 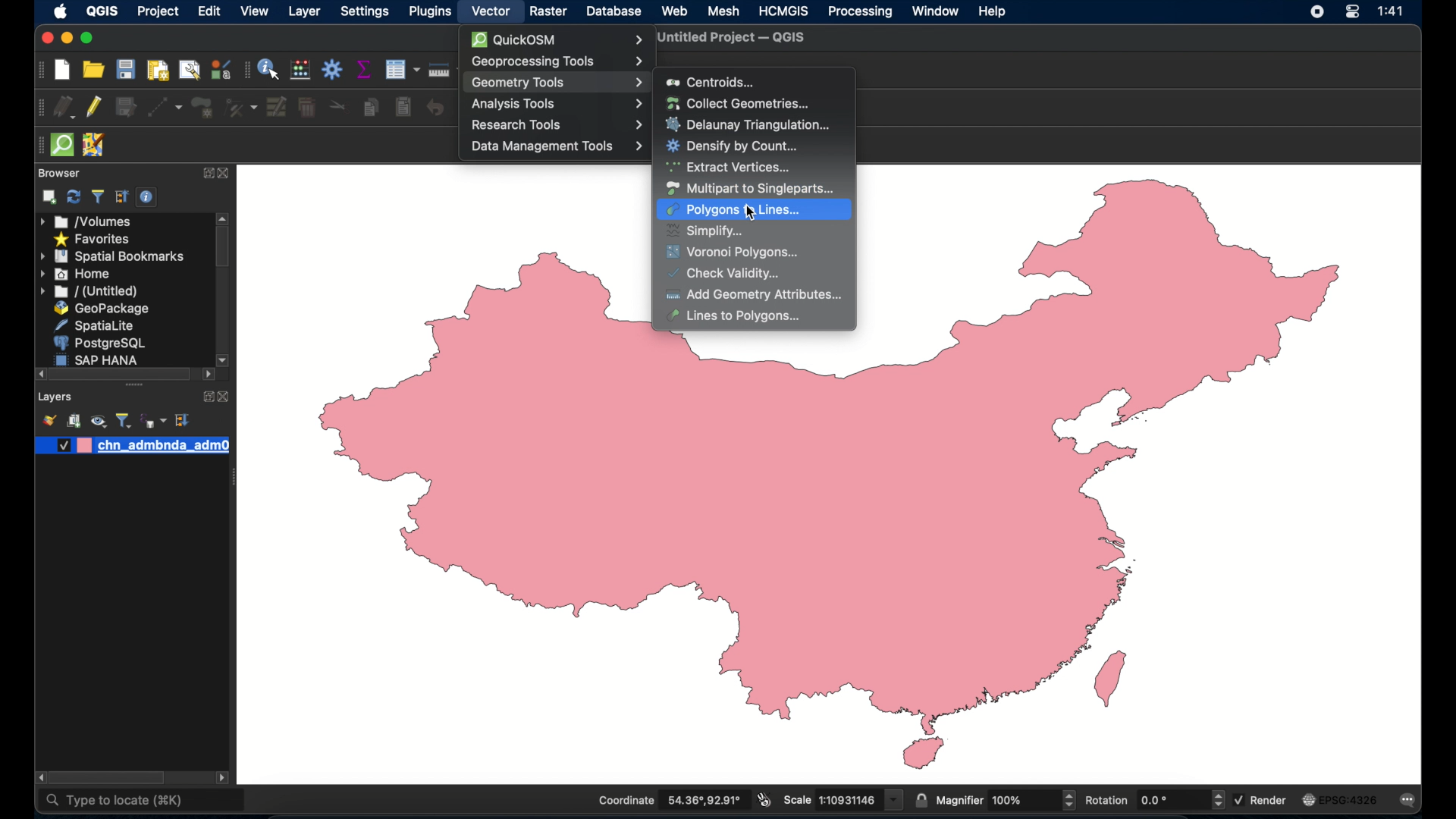 What do you see at coordinates (222, 249) in the screenshot?
I see `scroll box` at bounding box center [222, 249].